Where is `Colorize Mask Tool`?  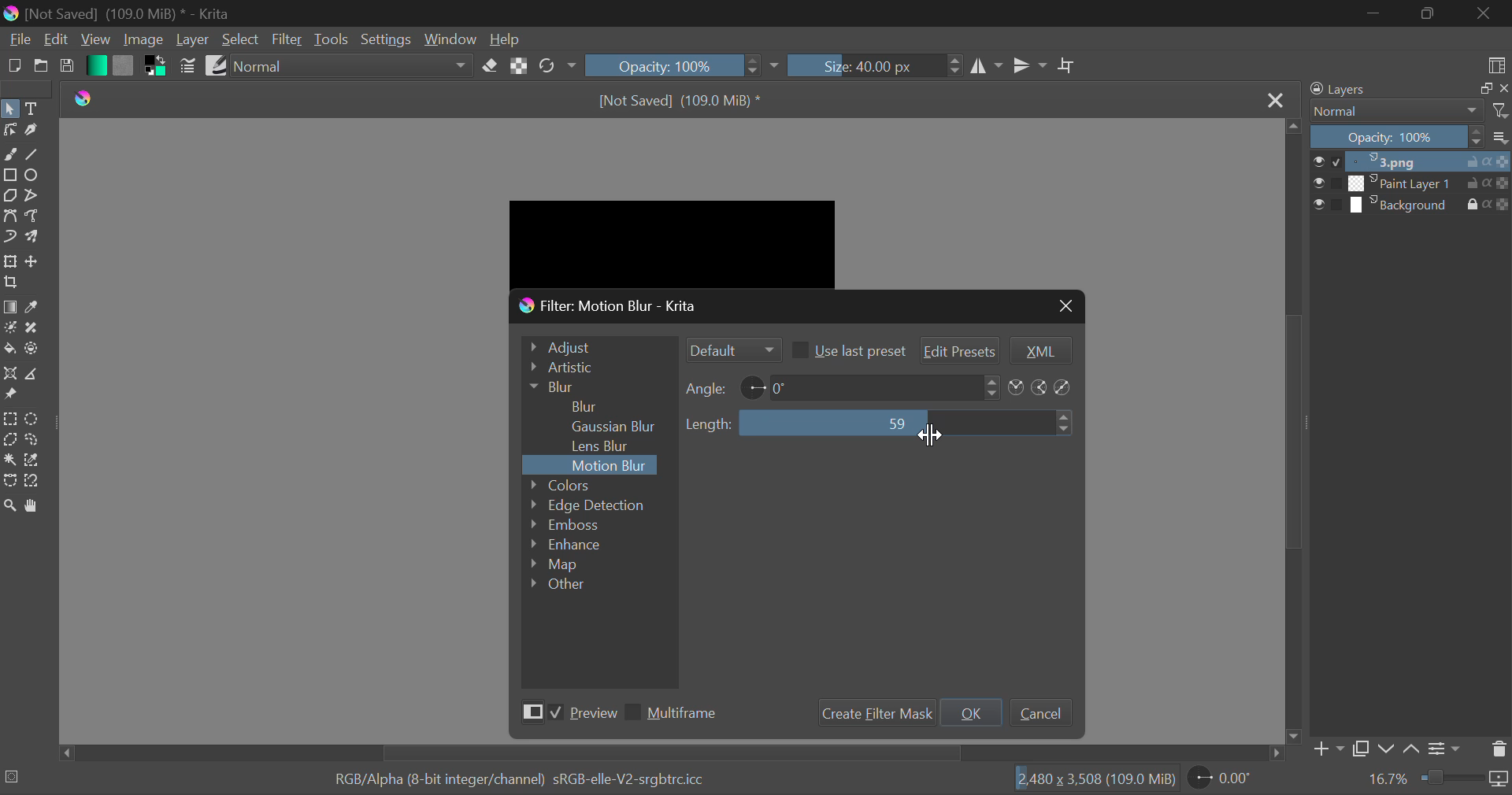 Colorize Mask Tool is located at coordinates (9, 327).